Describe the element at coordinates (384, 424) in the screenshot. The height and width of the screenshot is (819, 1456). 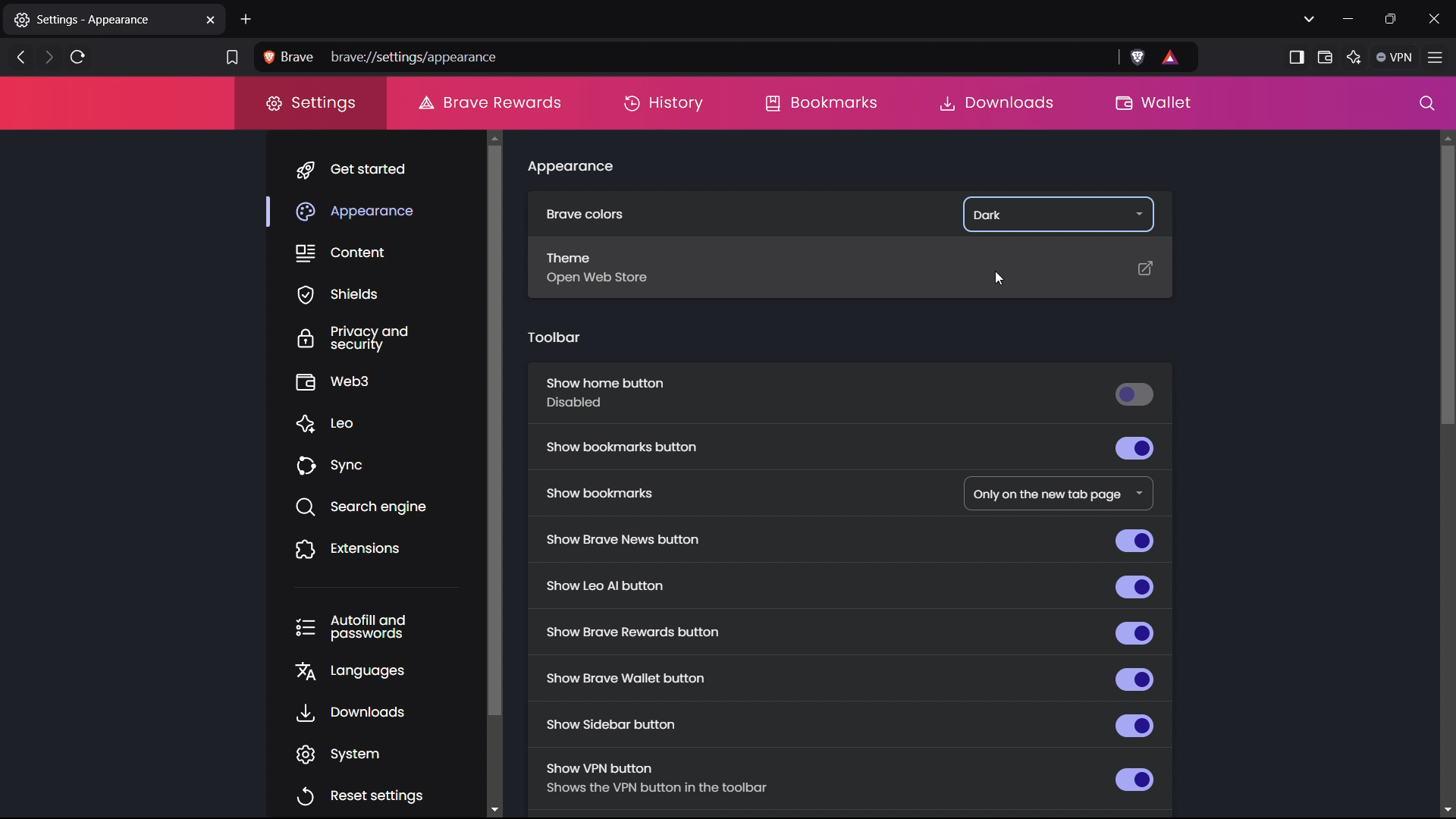
I see `leo` at that location.